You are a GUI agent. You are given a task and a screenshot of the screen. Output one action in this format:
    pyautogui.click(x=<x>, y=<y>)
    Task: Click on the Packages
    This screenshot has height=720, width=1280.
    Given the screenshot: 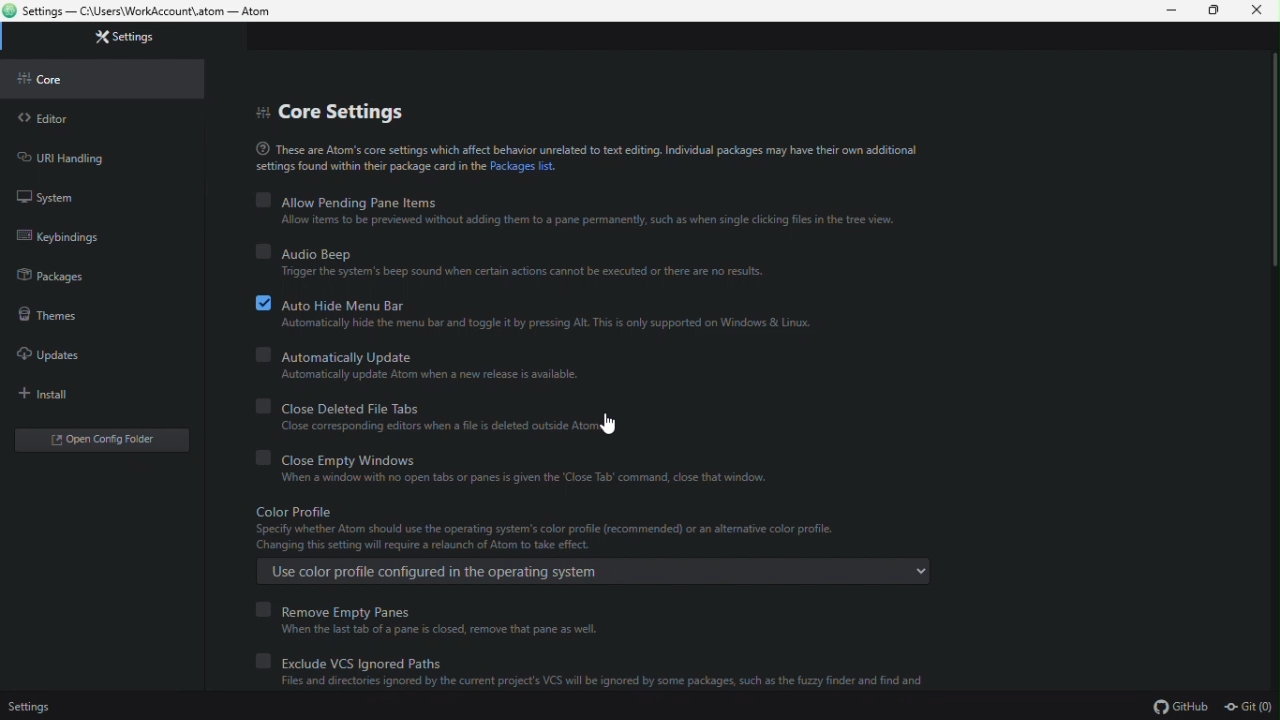 What is the action you would take?
    pyautogui.click(x=52, y=280)
    